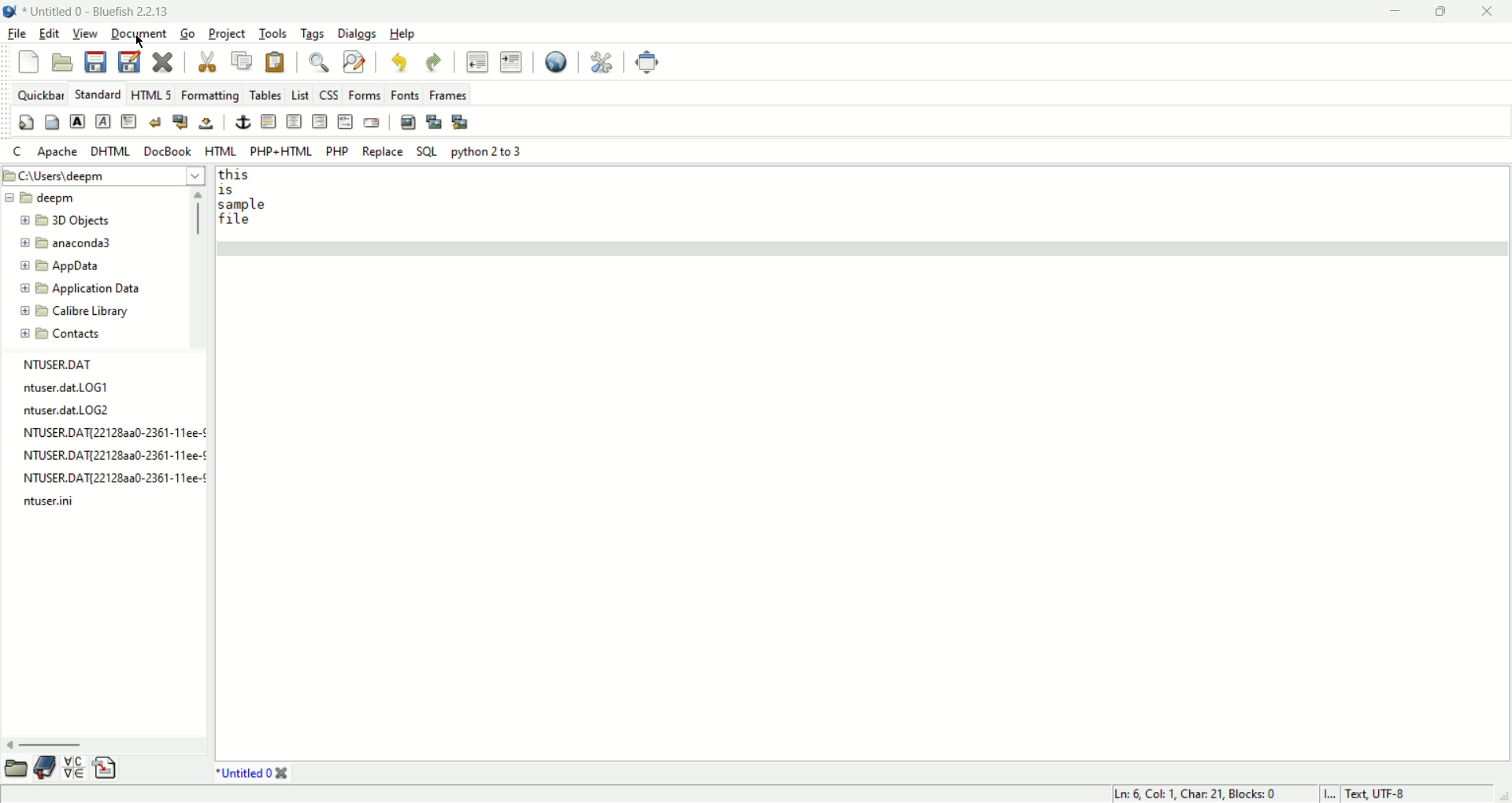  What do you see at coordinates (72, 242) in the screenshot?
I see `anaconda` at bounding box center [72, 242].